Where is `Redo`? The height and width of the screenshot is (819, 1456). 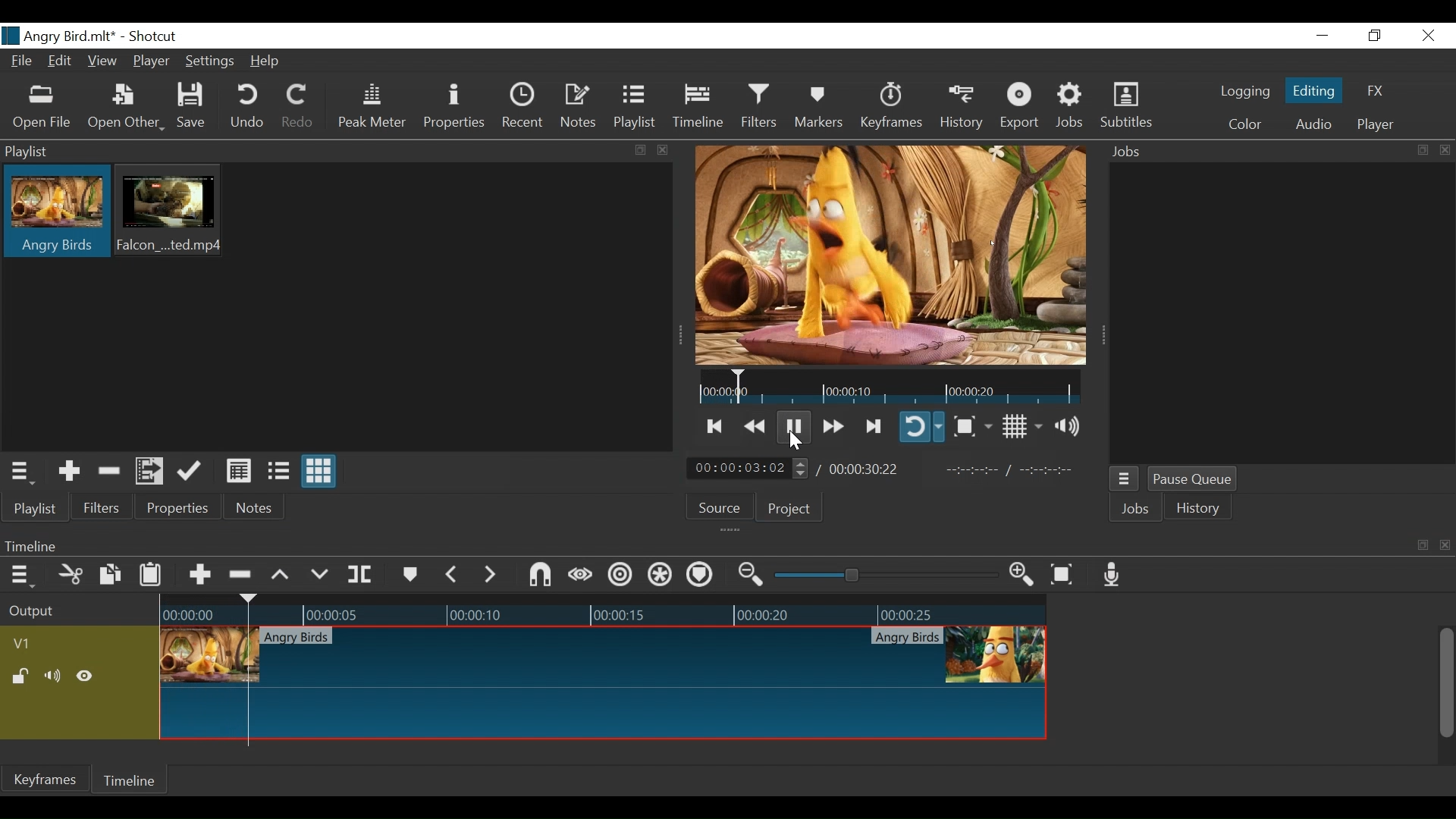
Redo is located at coordinates (300, 106).